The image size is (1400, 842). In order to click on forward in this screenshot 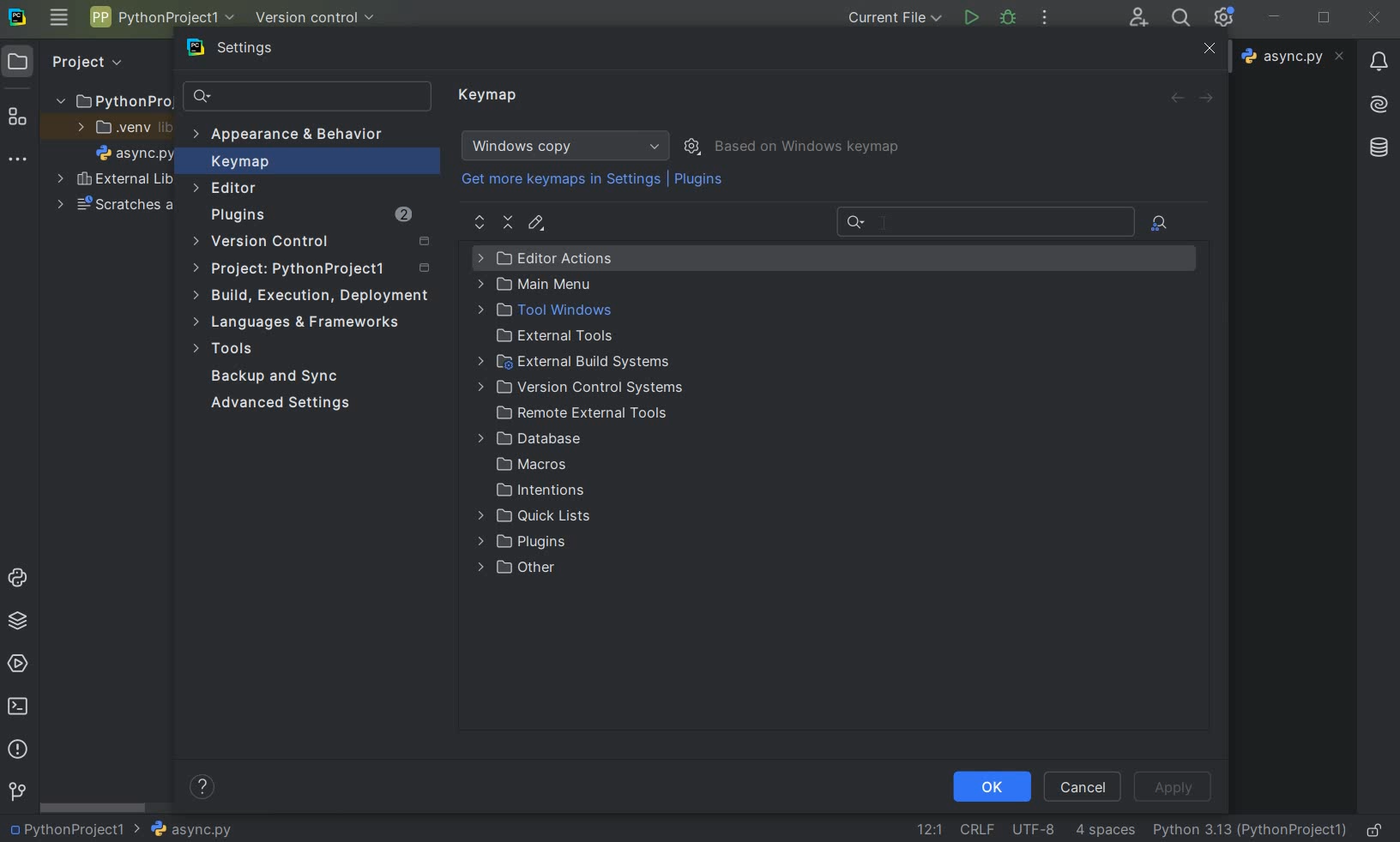, I will do `click(1210, 99)`.